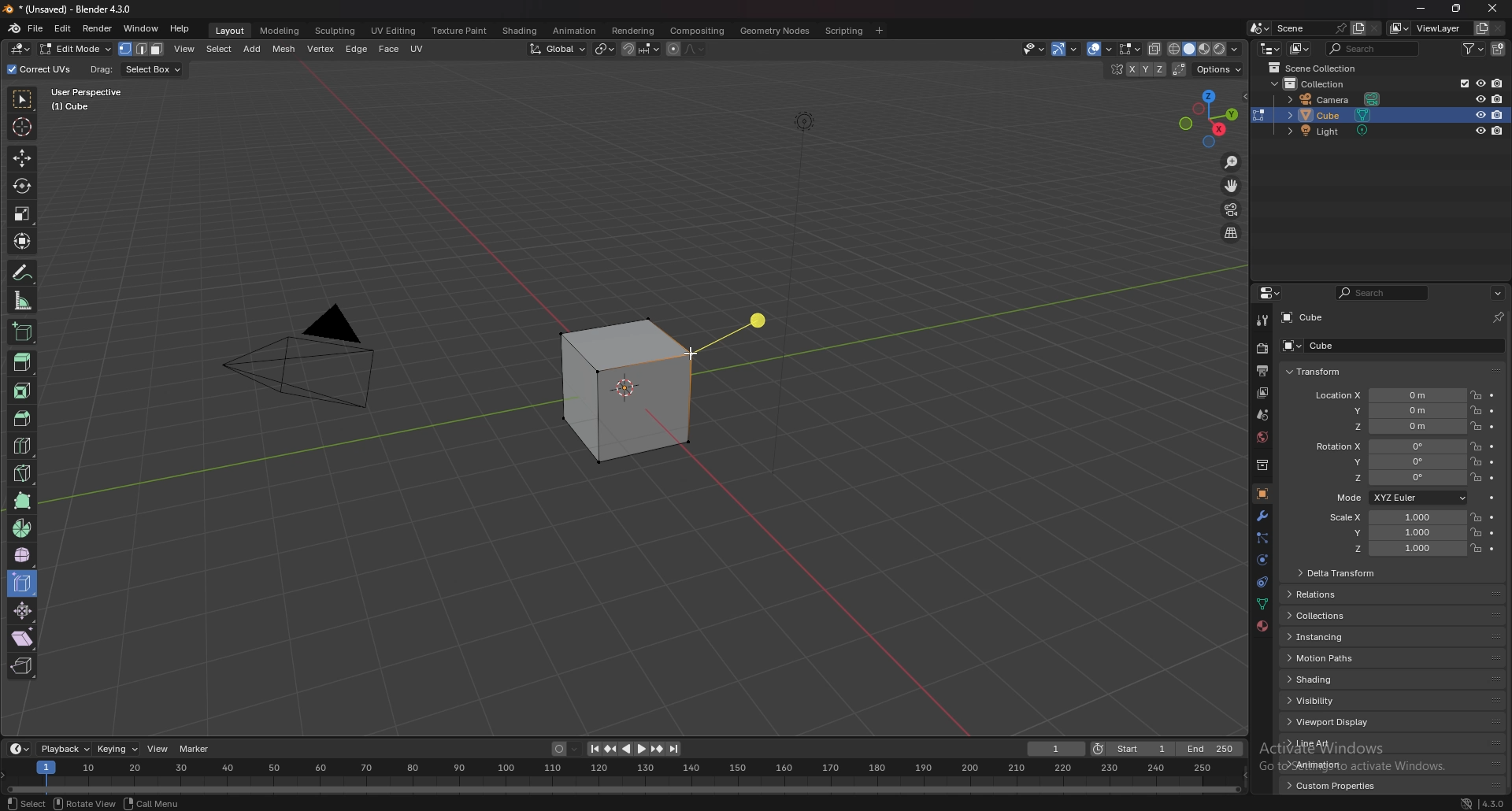  Describe the element at coordinates (459, 31) in the screenshot. I see `texture paint` at that location.